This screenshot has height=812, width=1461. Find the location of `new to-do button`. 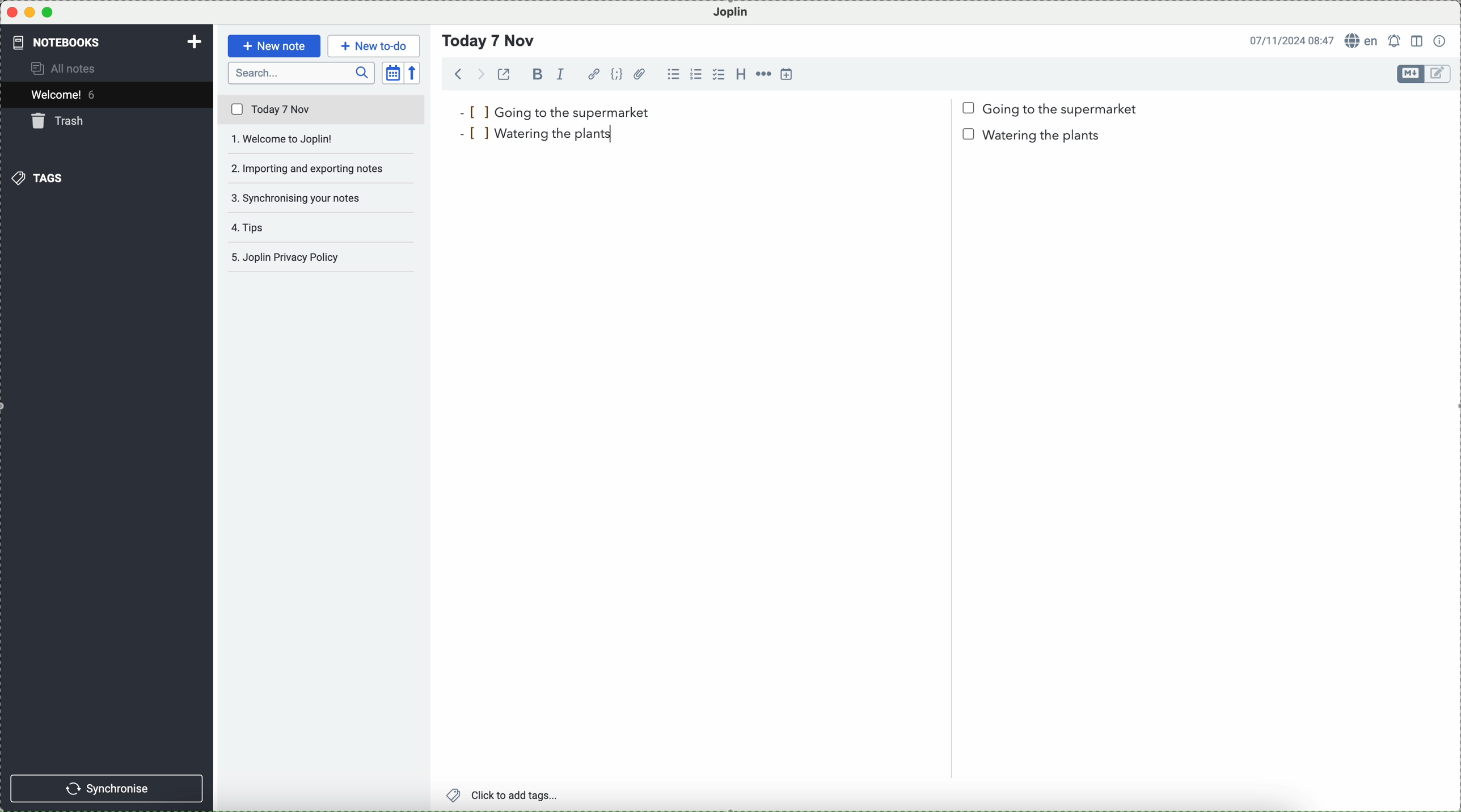

new to-do button is located at coordinates (374, 46).